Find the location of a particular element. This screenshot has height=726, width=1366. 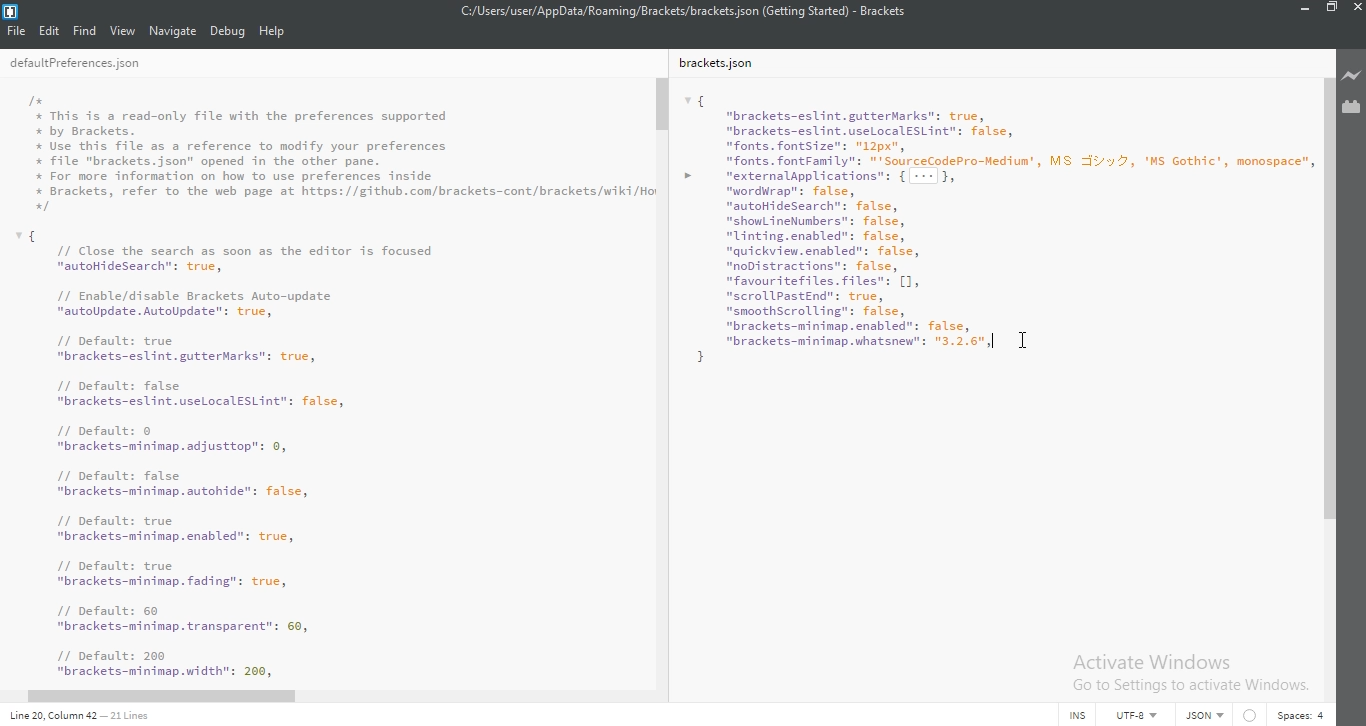

Line 21, column 2 - 21 lines is located at coordinates (77, 717).